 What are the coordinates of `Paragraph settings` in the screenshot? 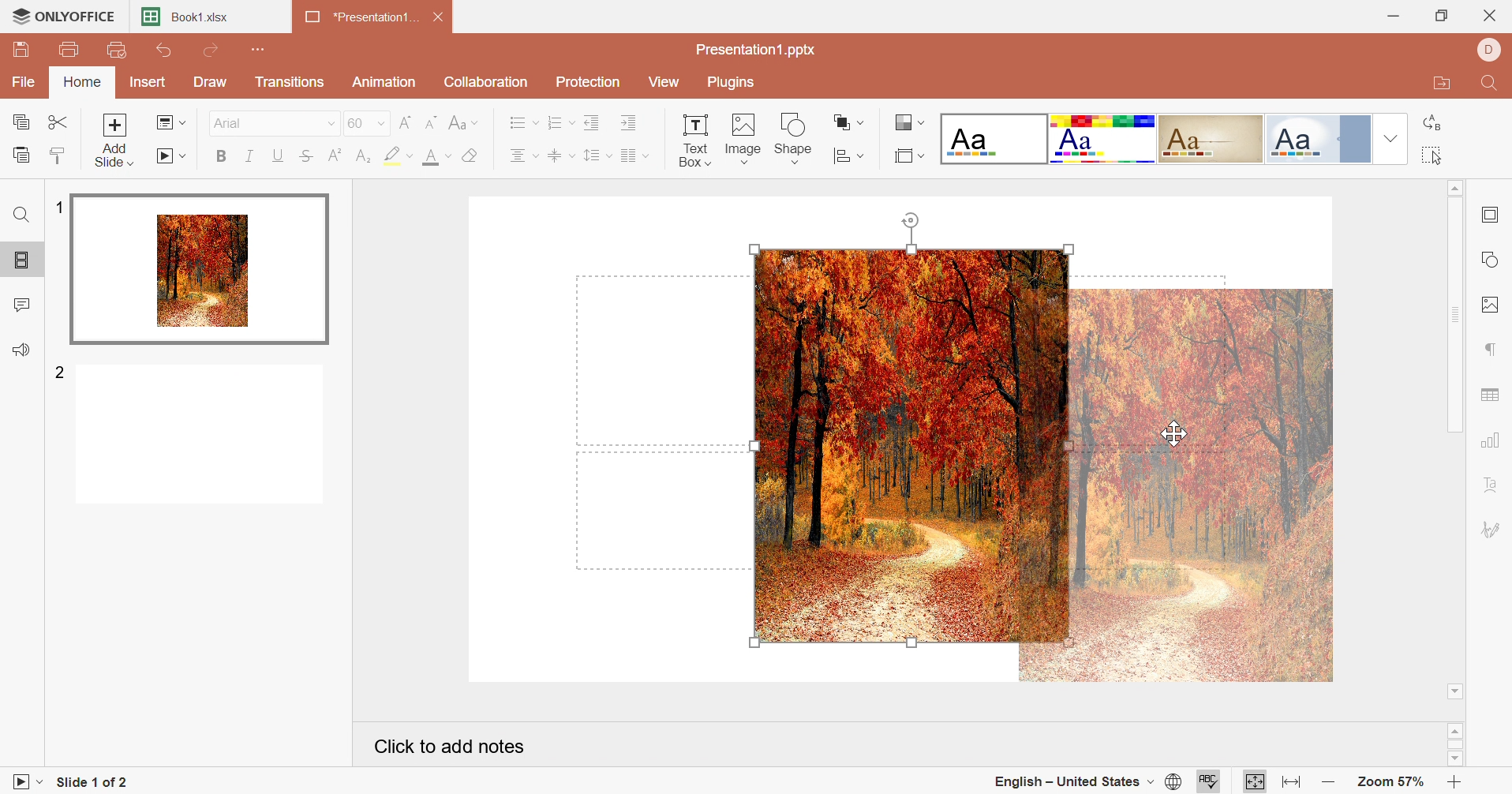 It's located at (1488, 347).